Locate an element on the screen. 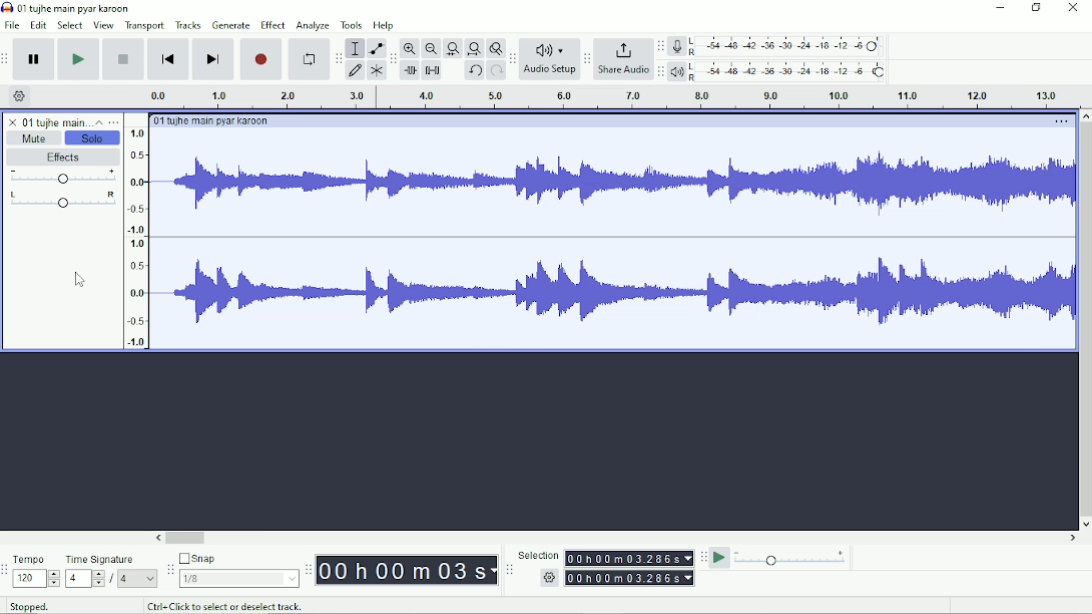 The image size is (1092, 614). Fit project to width is located at coordinates (473, 47).